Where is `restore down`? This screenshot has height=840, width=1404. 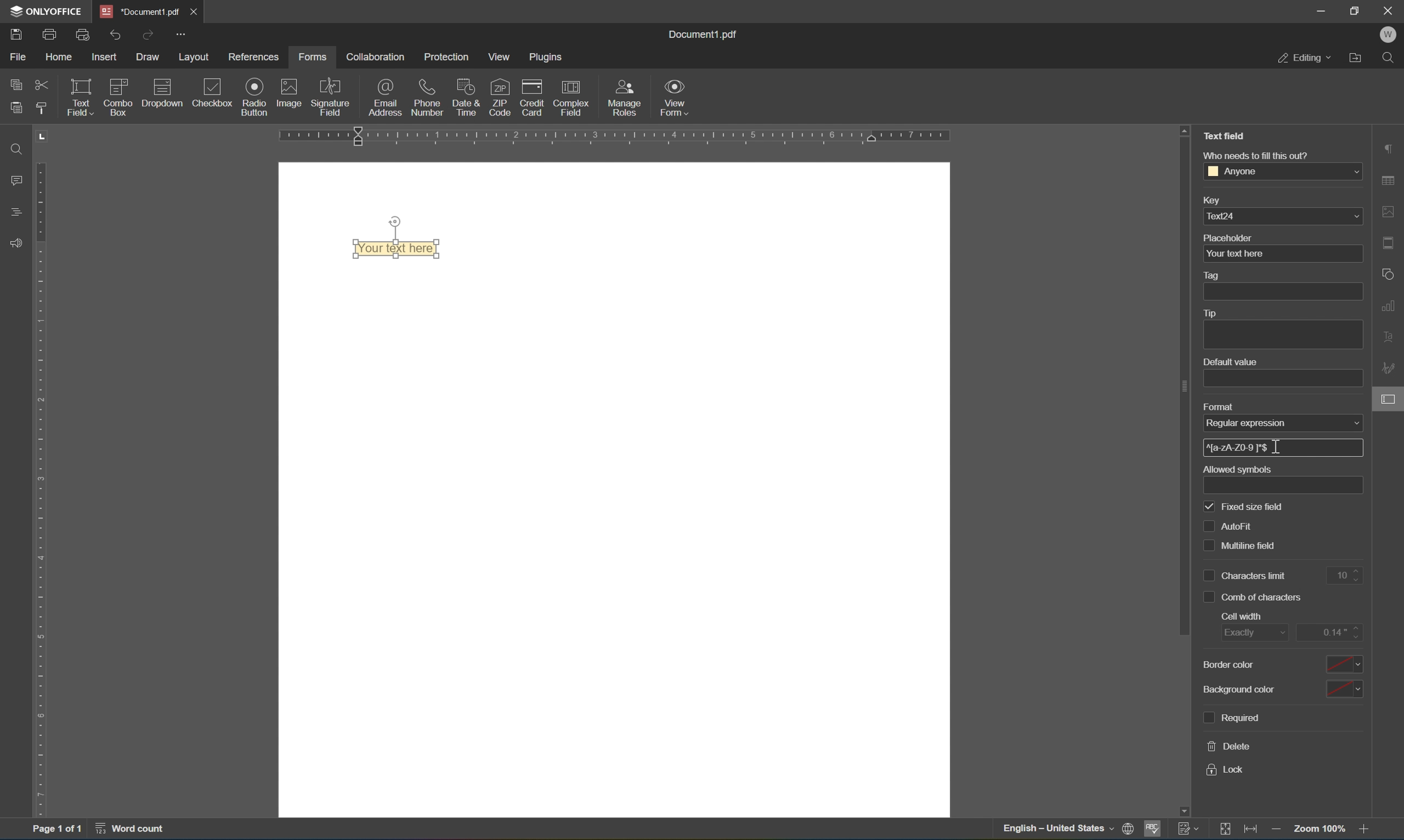 restore down is located at coordinates (1356, 10).